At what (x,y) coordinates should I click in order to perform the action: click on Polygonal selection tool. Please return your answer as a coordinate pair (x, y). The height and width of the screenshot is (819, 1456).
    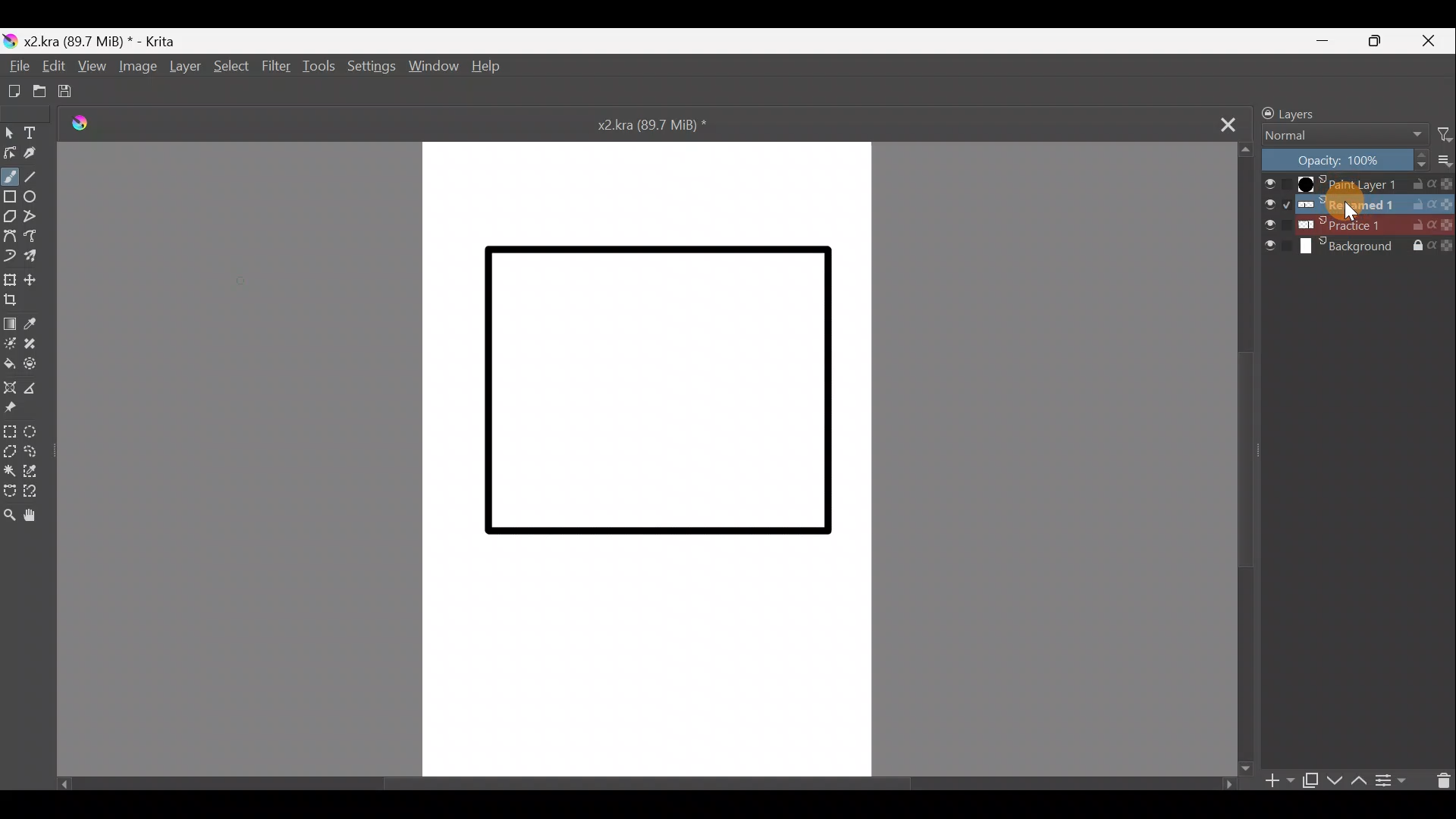
    Looking at the image, I should click on (10, 450).